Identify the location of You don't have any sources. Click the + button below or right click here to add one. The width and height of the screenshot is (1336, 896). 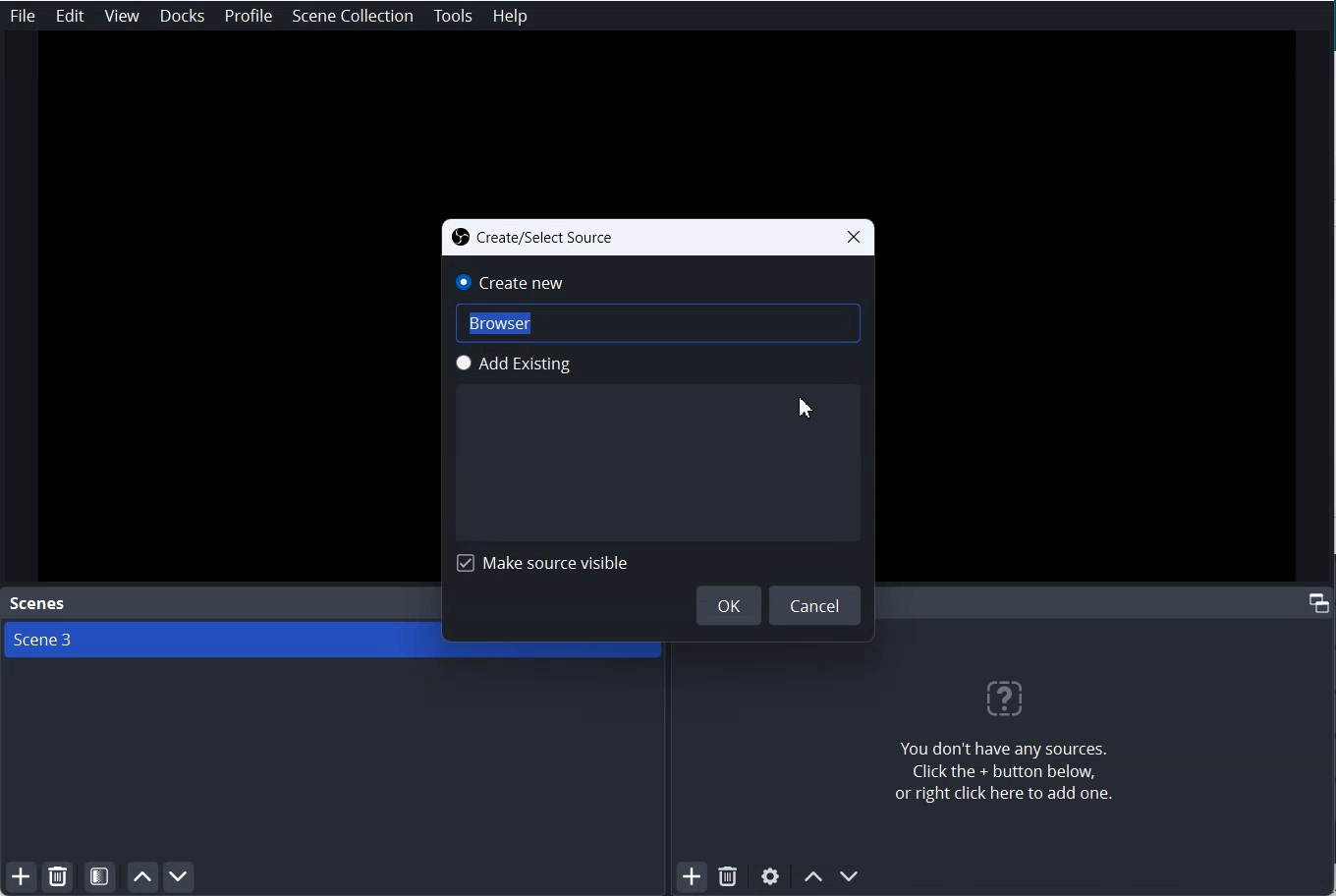
(1001, 735).